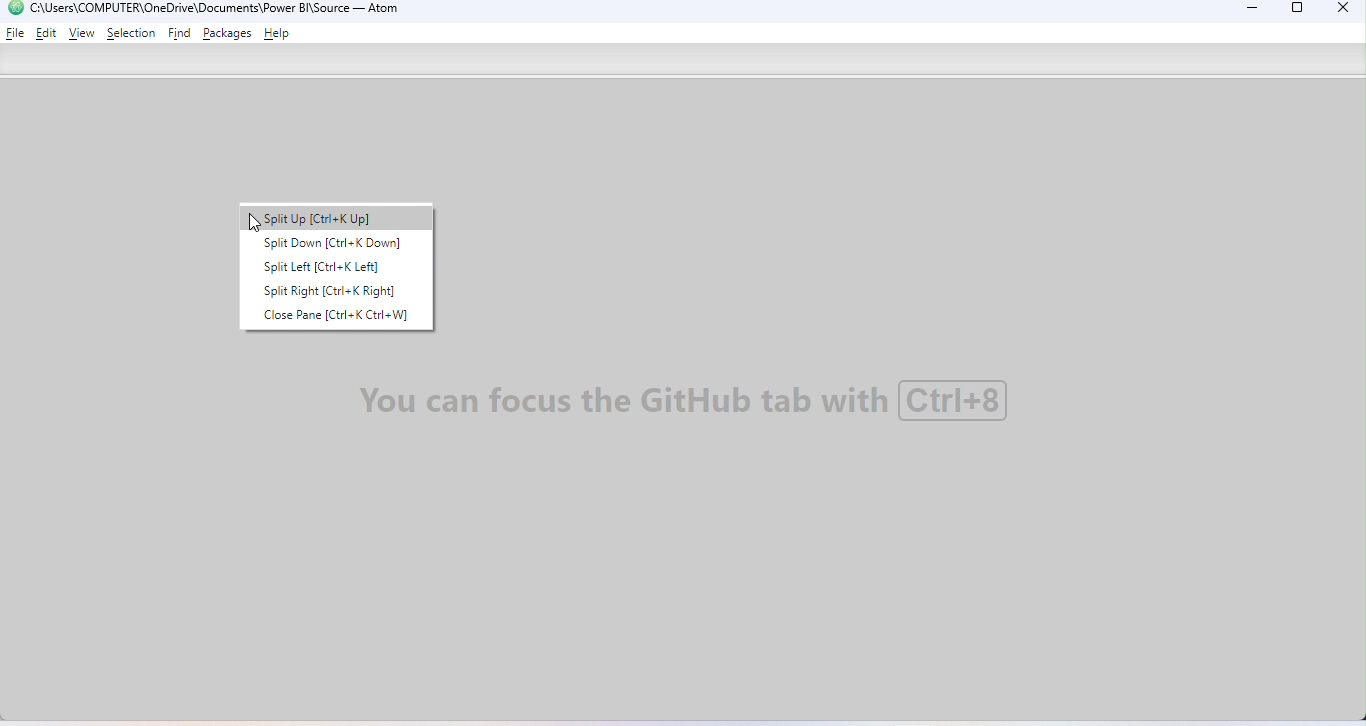  I want to click on Find, so click(181, 34).